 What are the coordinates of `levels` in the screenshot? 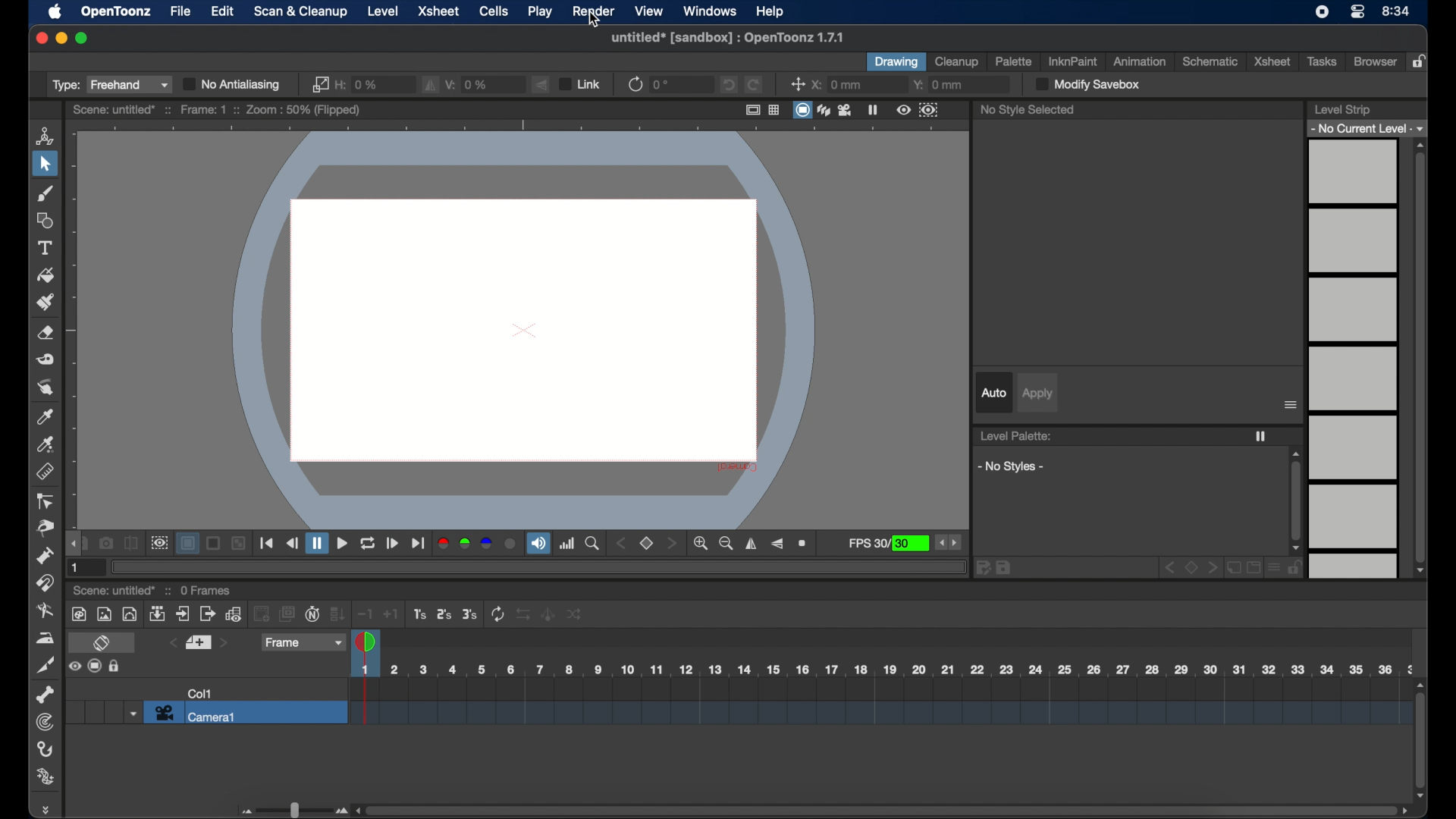 It's located at (1354, 359).